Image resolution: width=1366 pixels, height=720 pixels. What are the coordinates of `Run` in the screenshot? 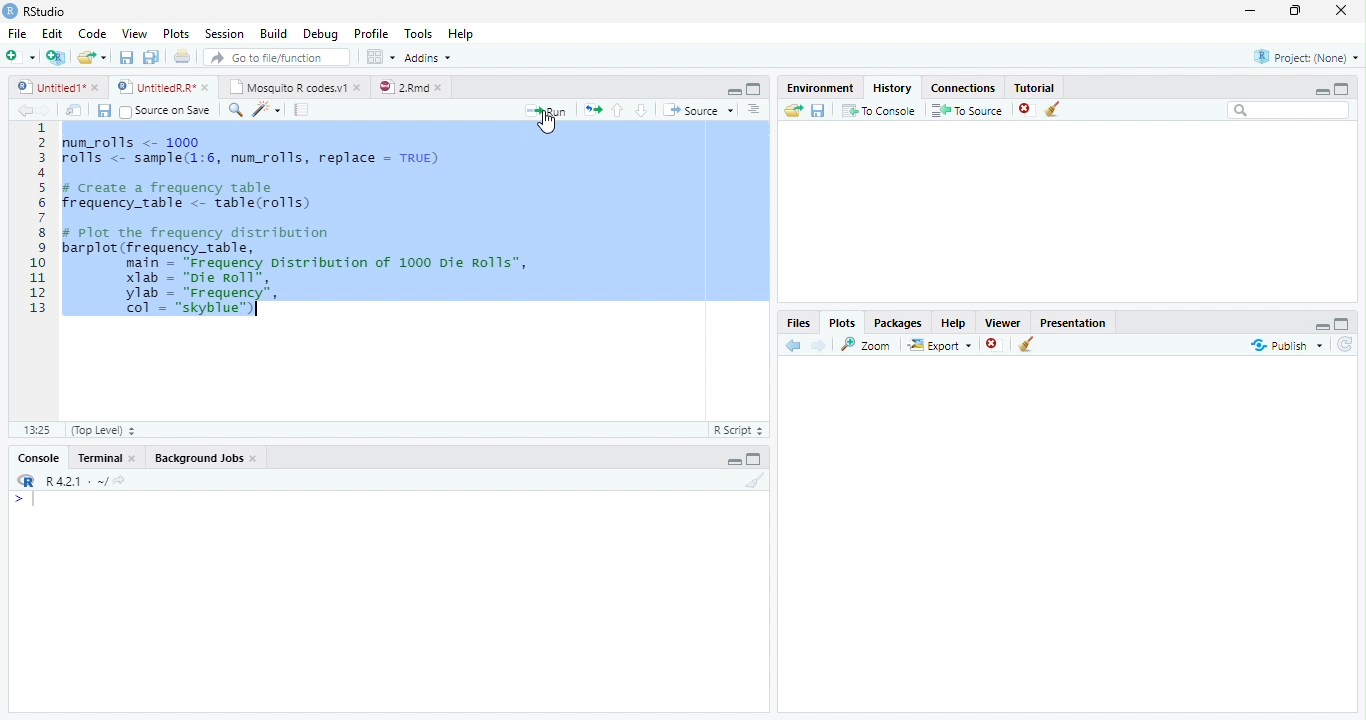 It's located at (547, 110).